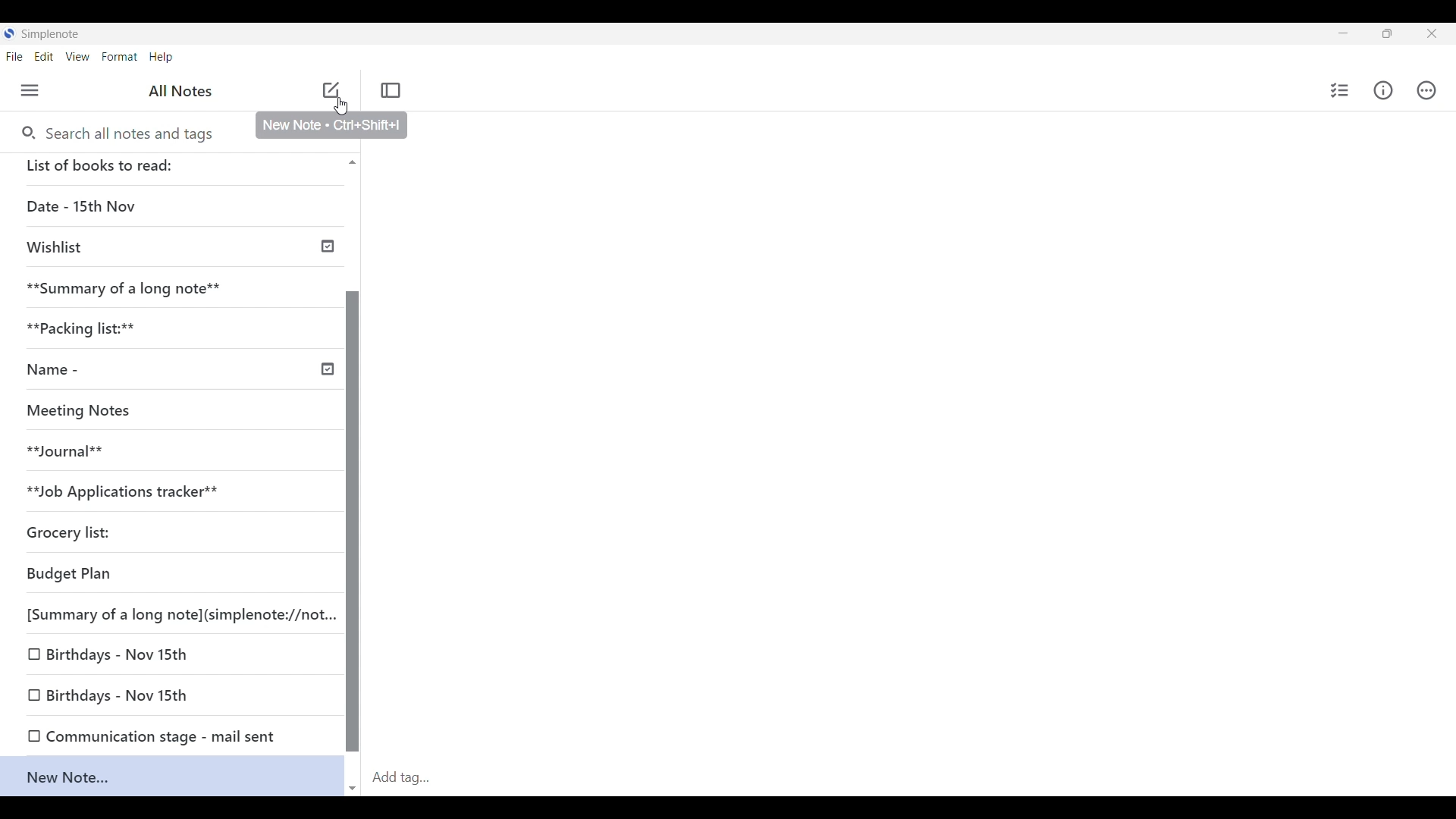 The image size is (1456, 819). I want to click on scroll down button, so click(353, 783).